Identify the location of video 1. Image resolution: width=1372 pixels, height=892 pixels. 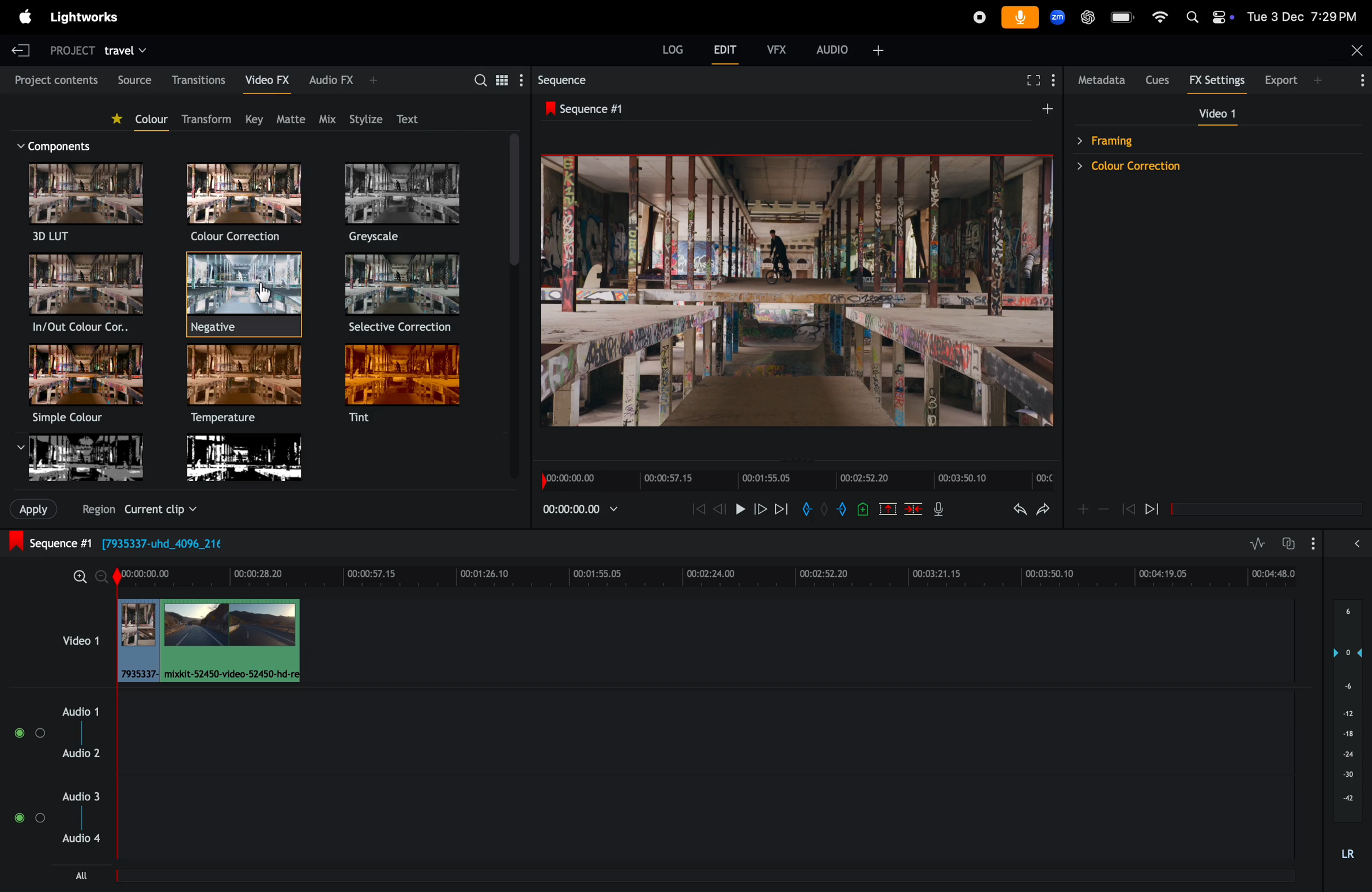
(1216, 114).